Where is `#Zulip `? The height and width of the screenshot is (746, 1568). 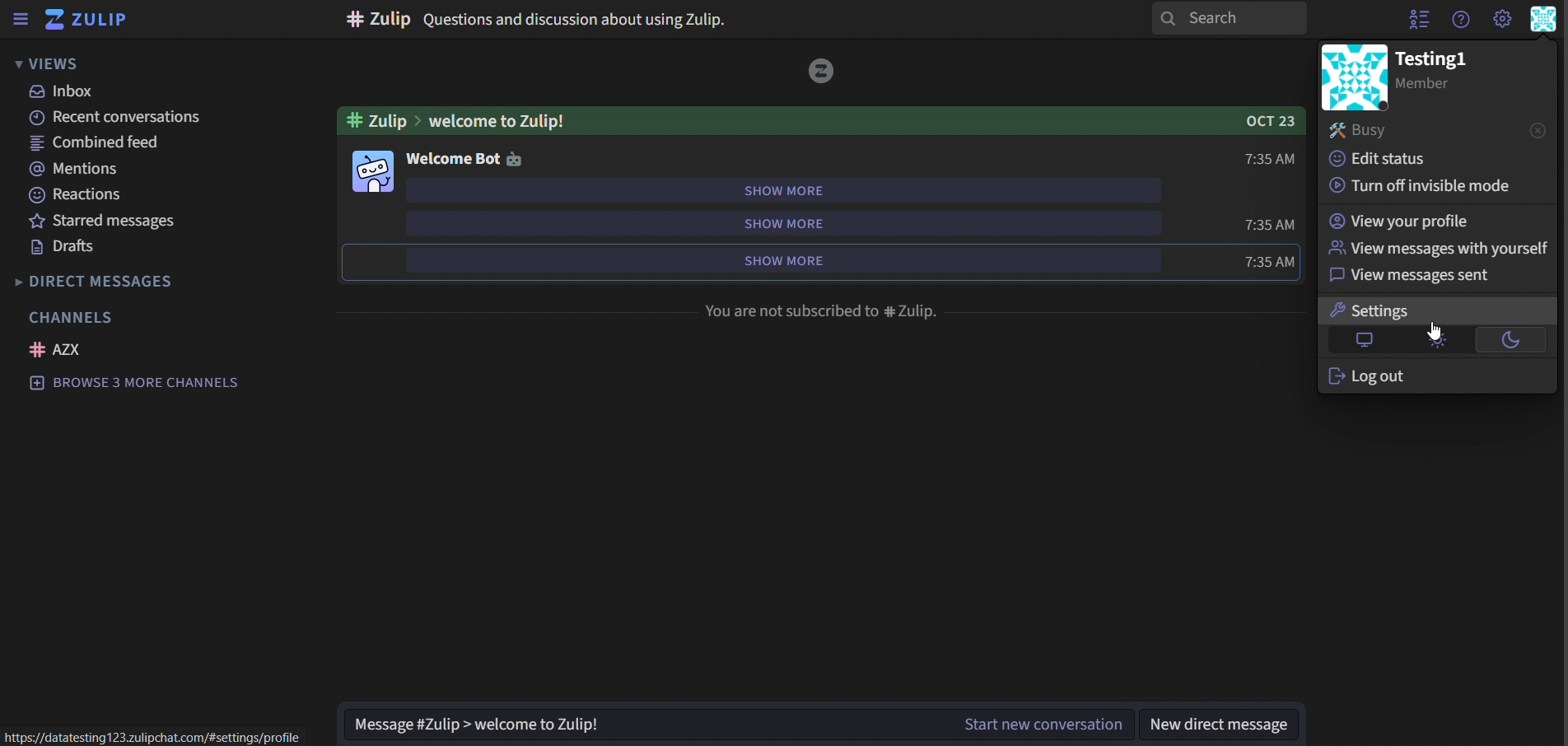
#Zulip  is located at coordinates (380, 19).